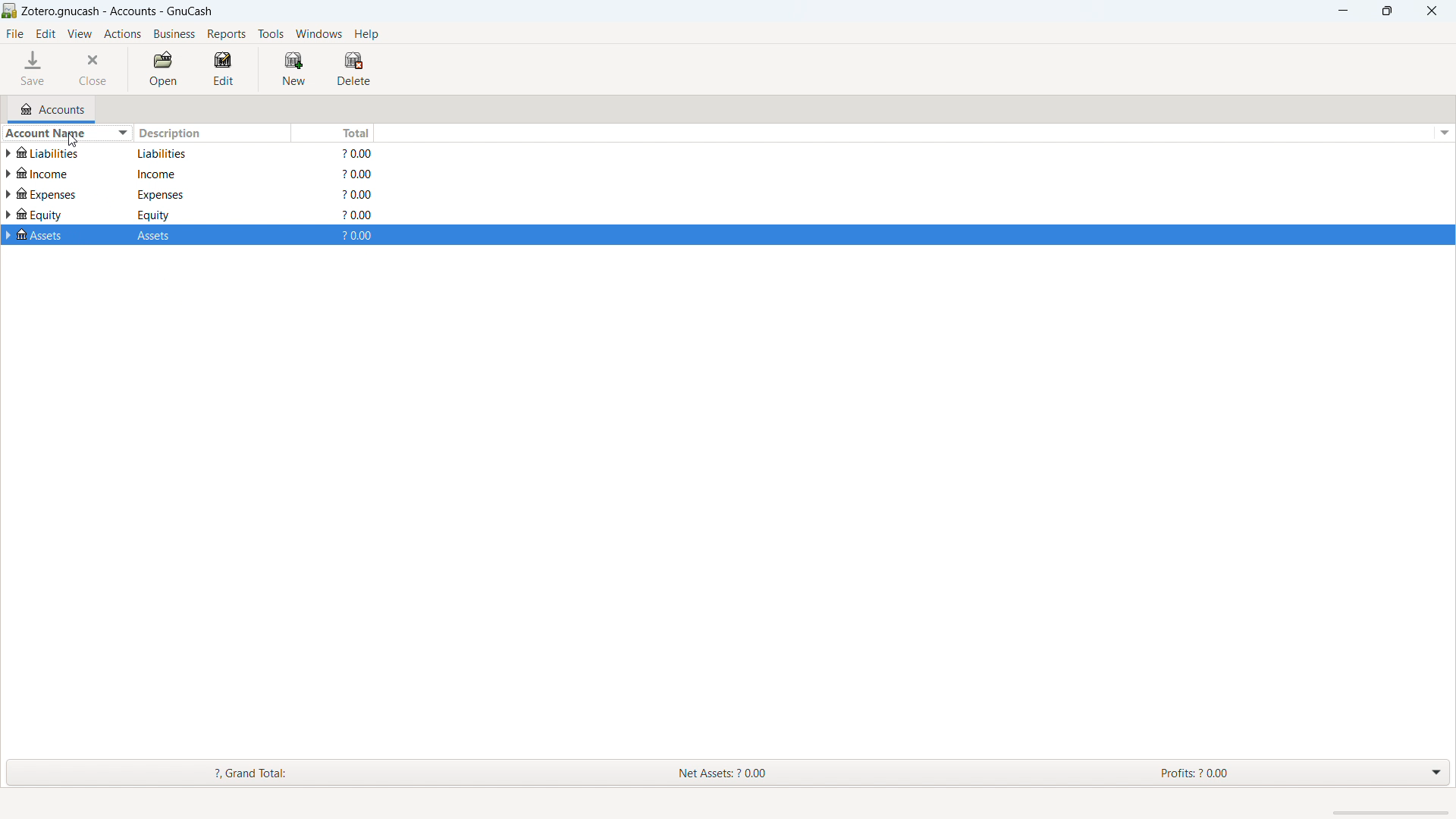  I want to click on accounts tab, so click(53, 108).